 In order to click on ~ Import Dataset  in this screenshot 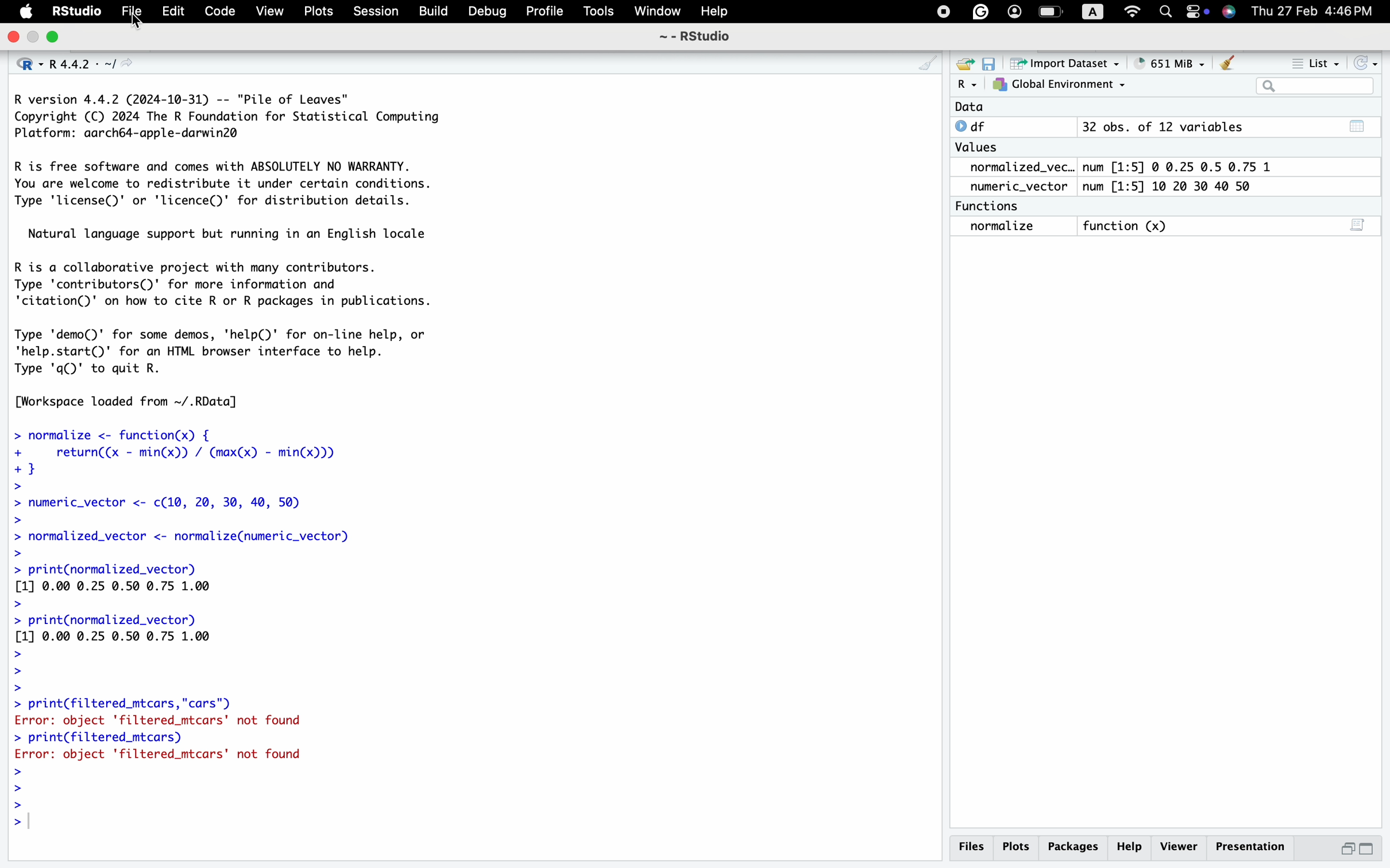, I will do `click(1064, 63)`.